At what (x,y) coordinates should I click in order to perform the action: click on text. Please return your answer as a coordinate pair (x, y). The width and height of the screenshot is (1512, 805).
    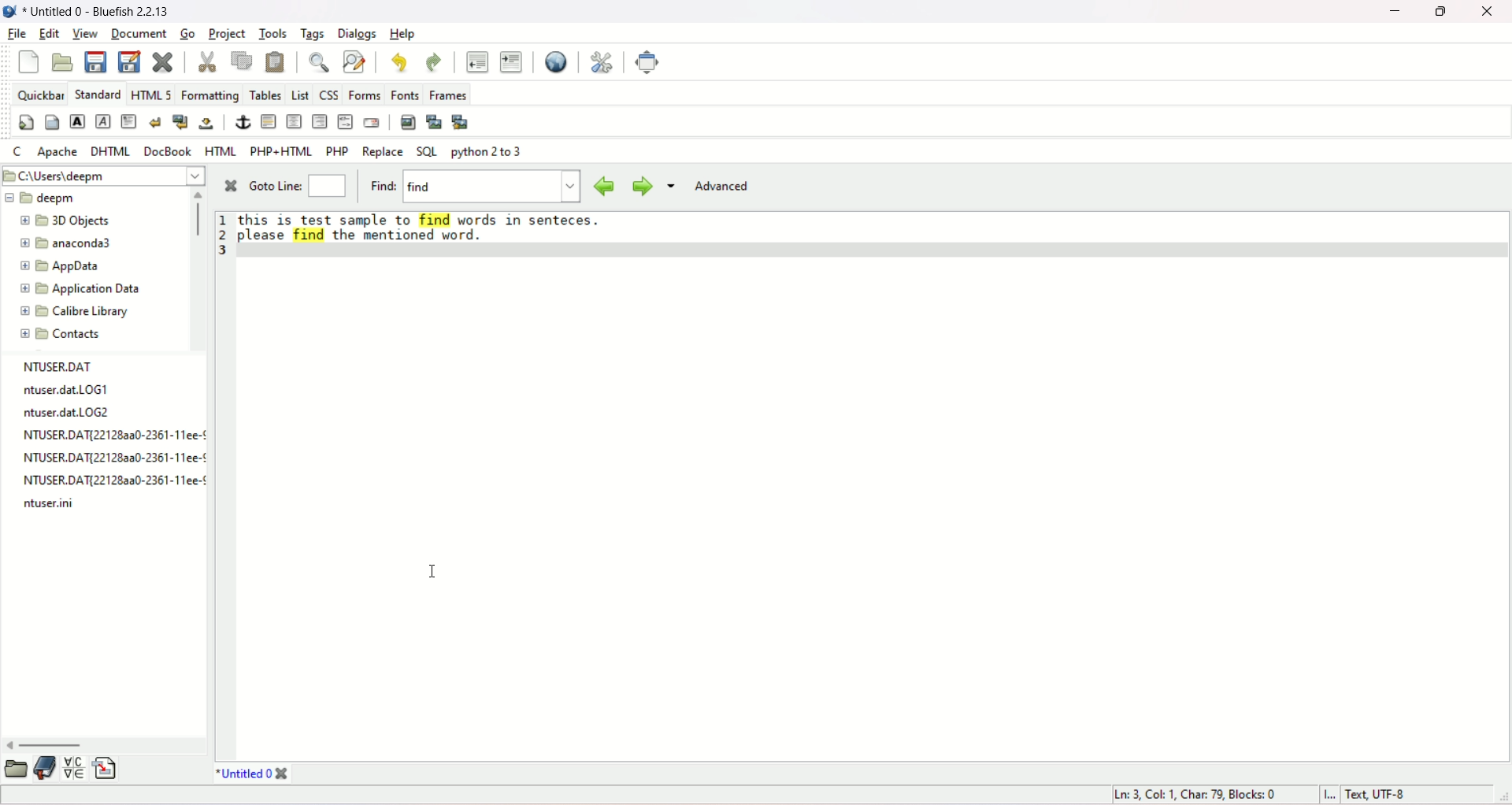
    Looking at the image, I should click on (531, 220).